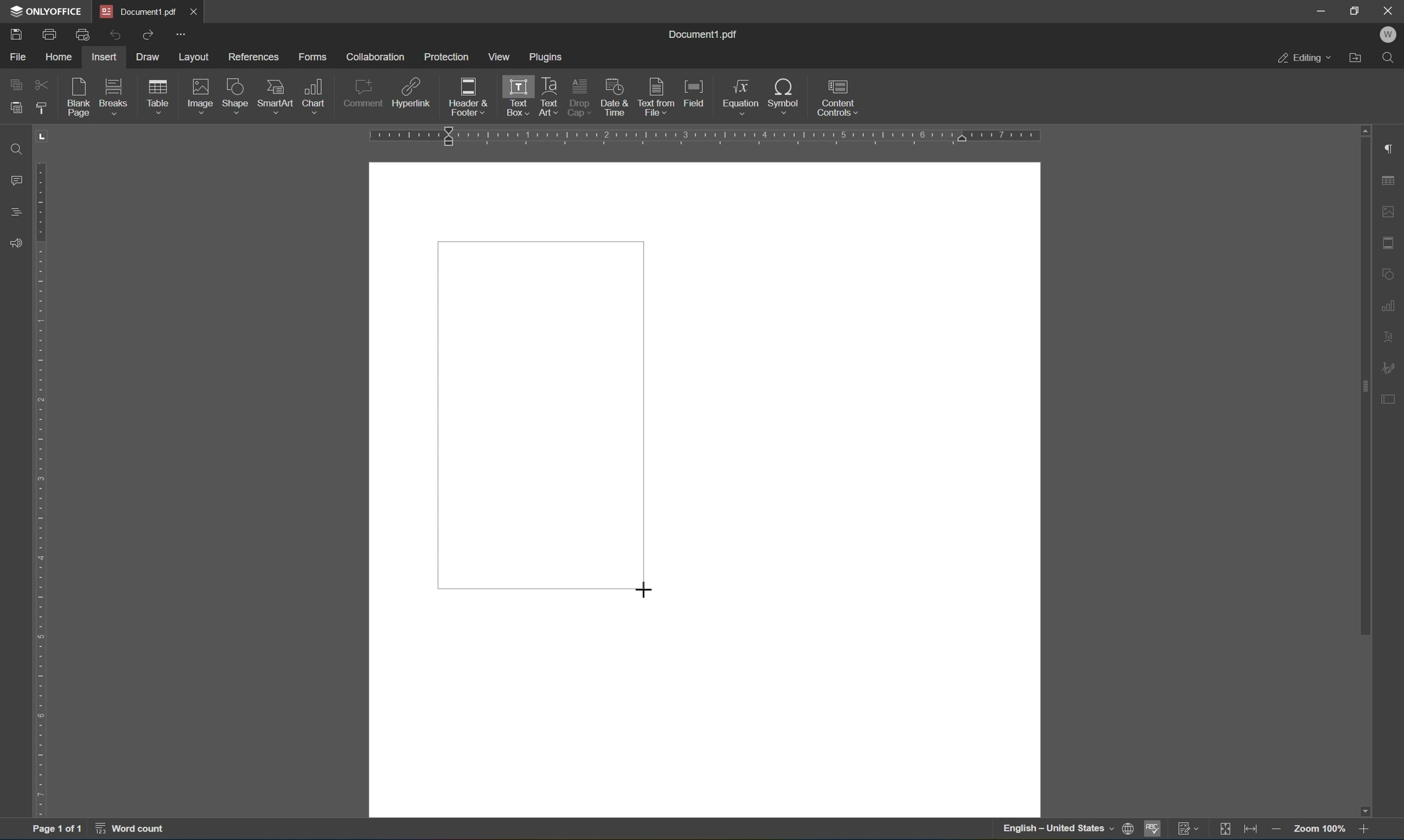  Describe the element at coordinates (1364, 830) in the screenshot. I see `zoom in` at that location.